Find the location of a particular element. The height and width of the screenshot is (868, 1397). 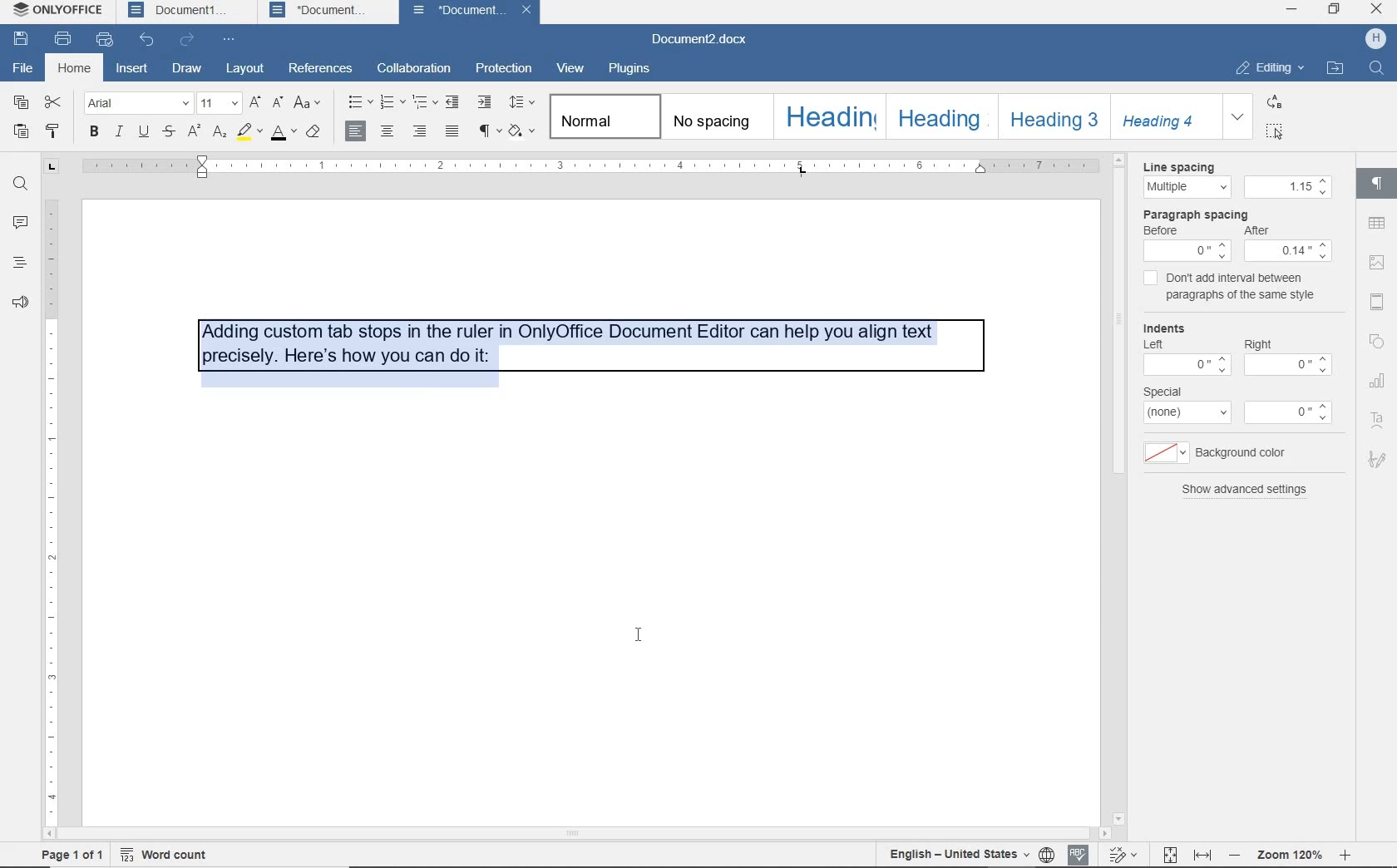

menu is located at coordinates (1163, 451).